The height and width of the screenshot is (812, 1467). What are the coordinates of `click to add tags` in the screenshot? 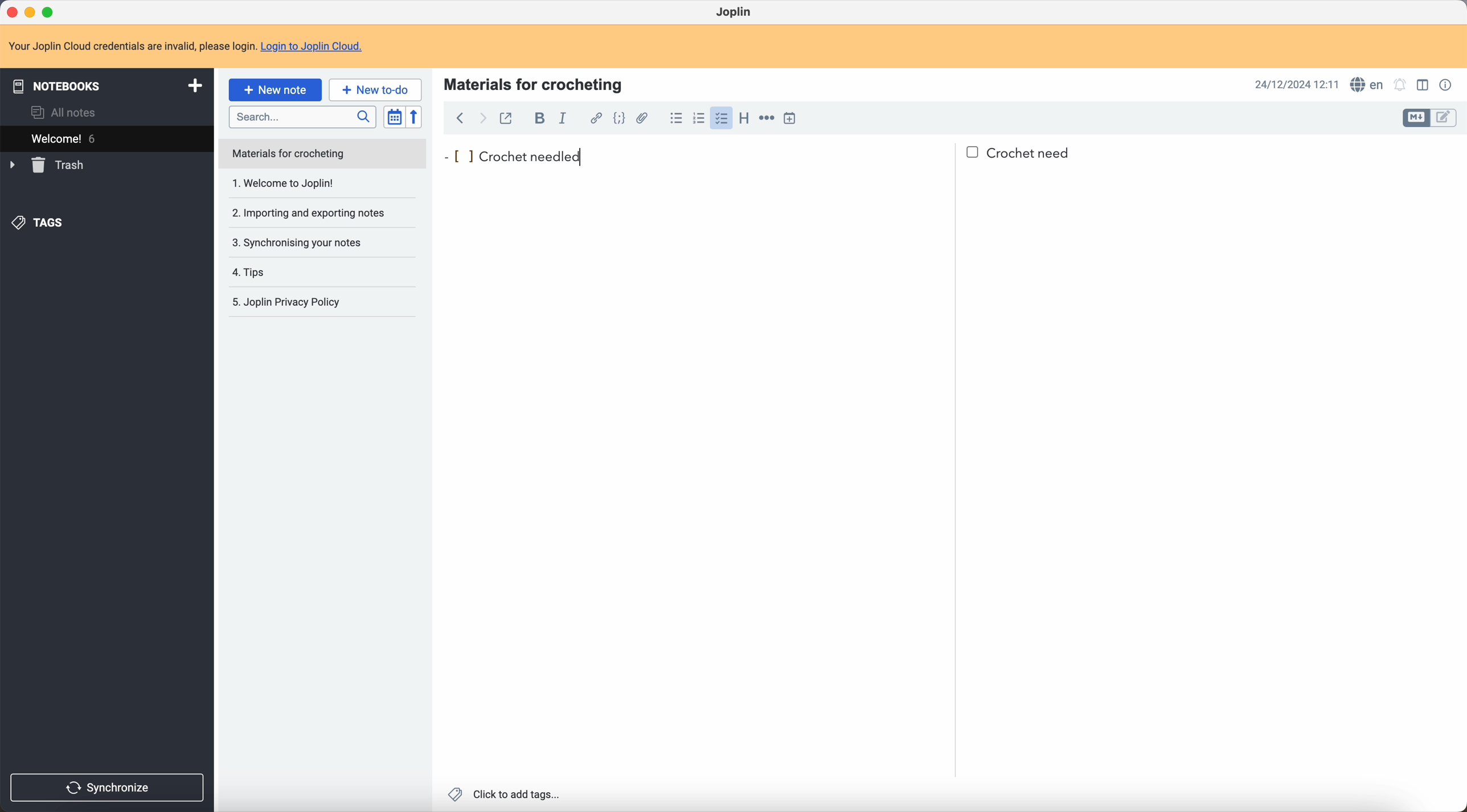 It's located at (506, 795).